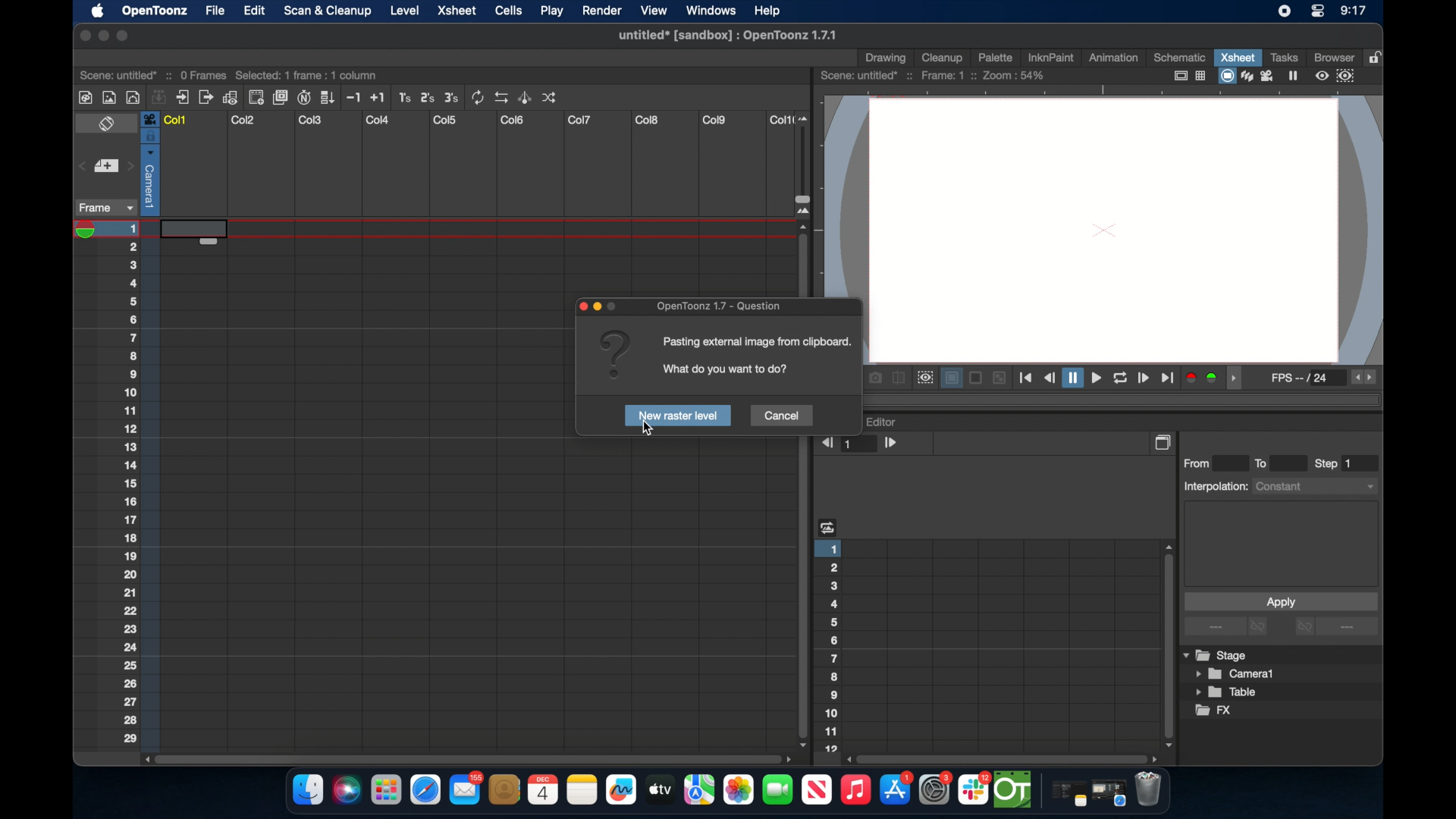  Describe the element at coordinates (699, 790) in the screenshot. I see `imaps` at that location.